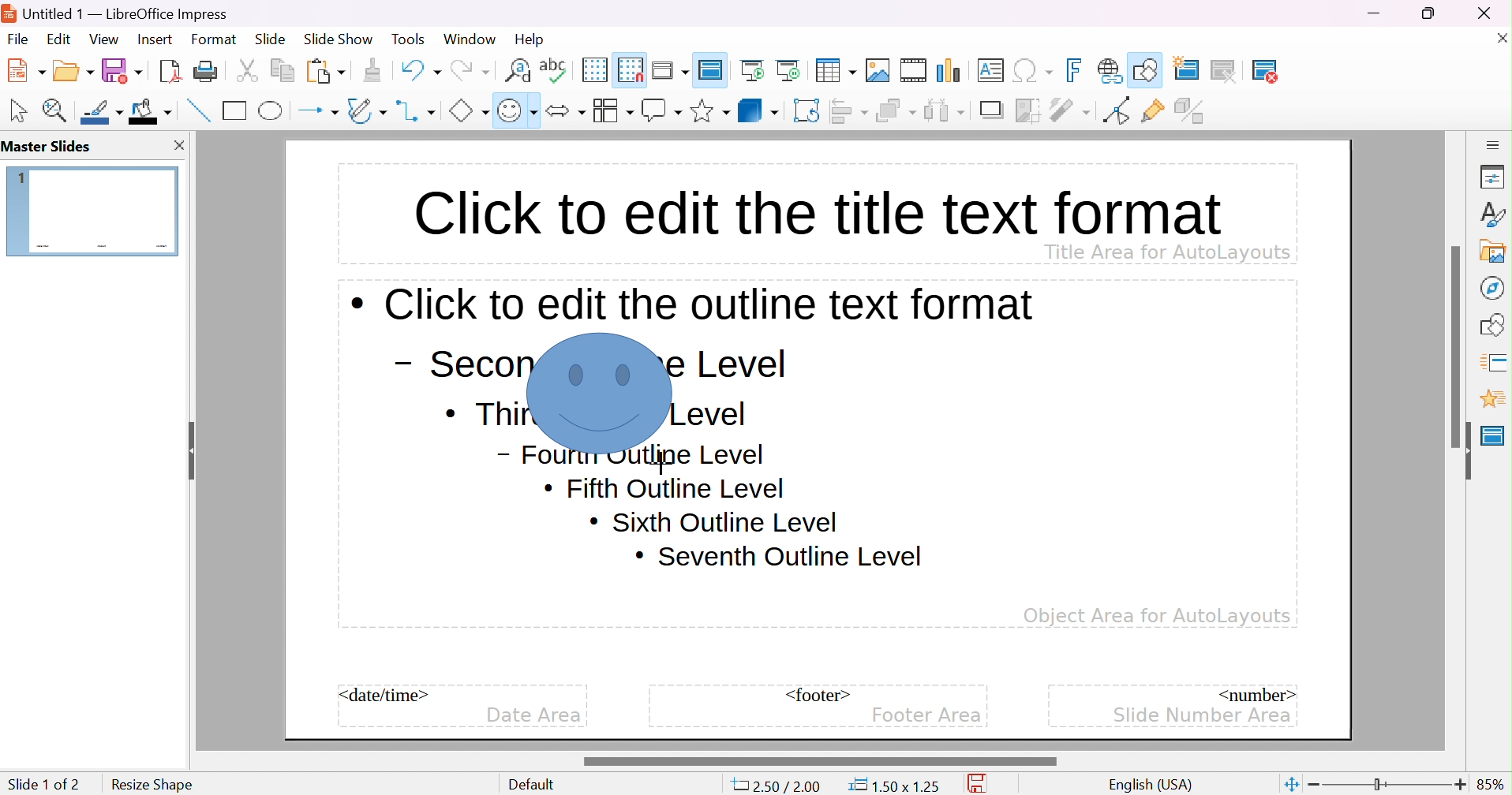 This screenshot has width=1512, height=795. Describe the element at coordinates (58, 110) in the screenshot. I see `zoom & pan` at that location.